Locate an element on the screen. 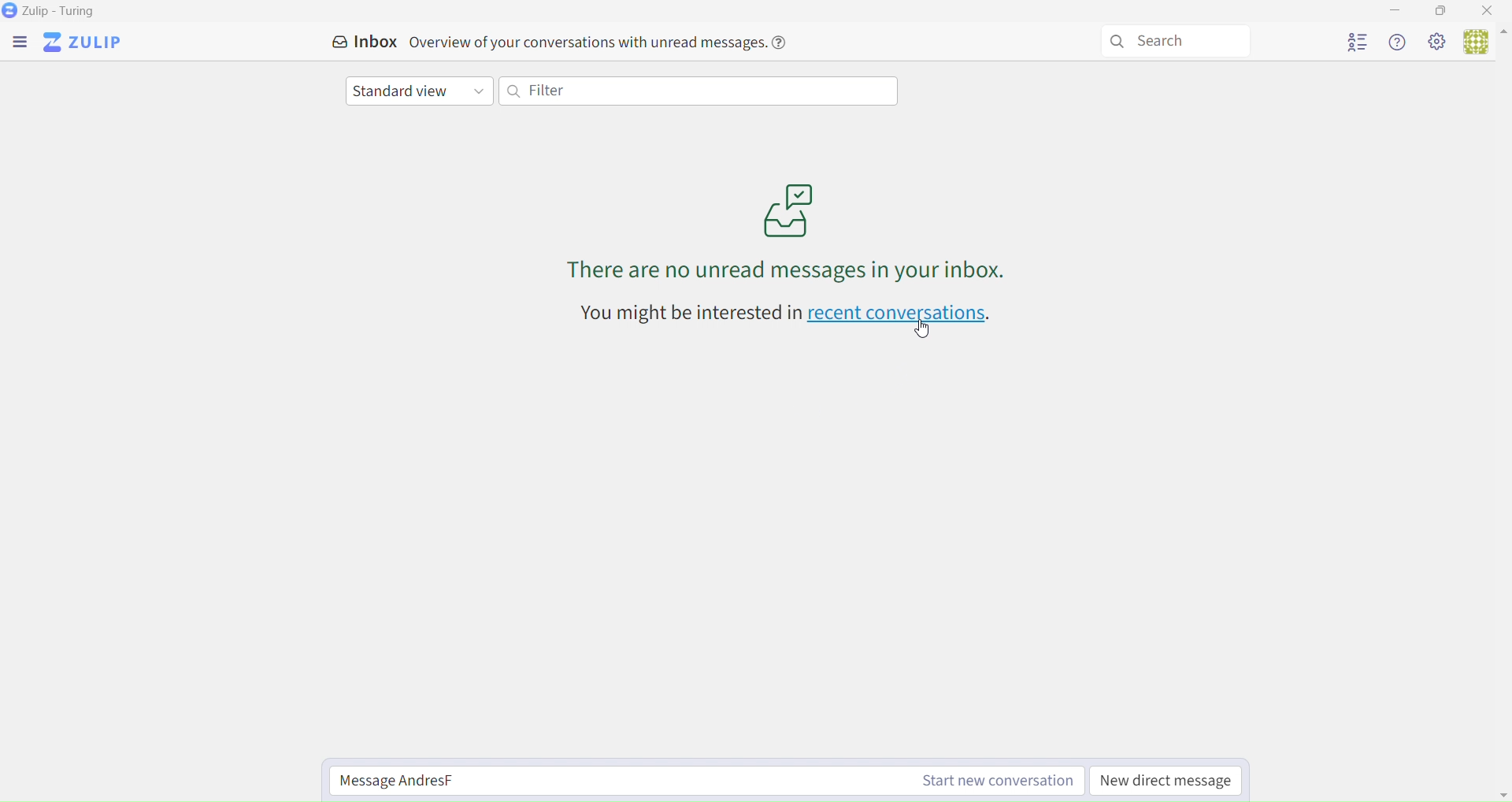 This screenshot has width=1512, height=802. Search is located at coordinates (1175, 41).